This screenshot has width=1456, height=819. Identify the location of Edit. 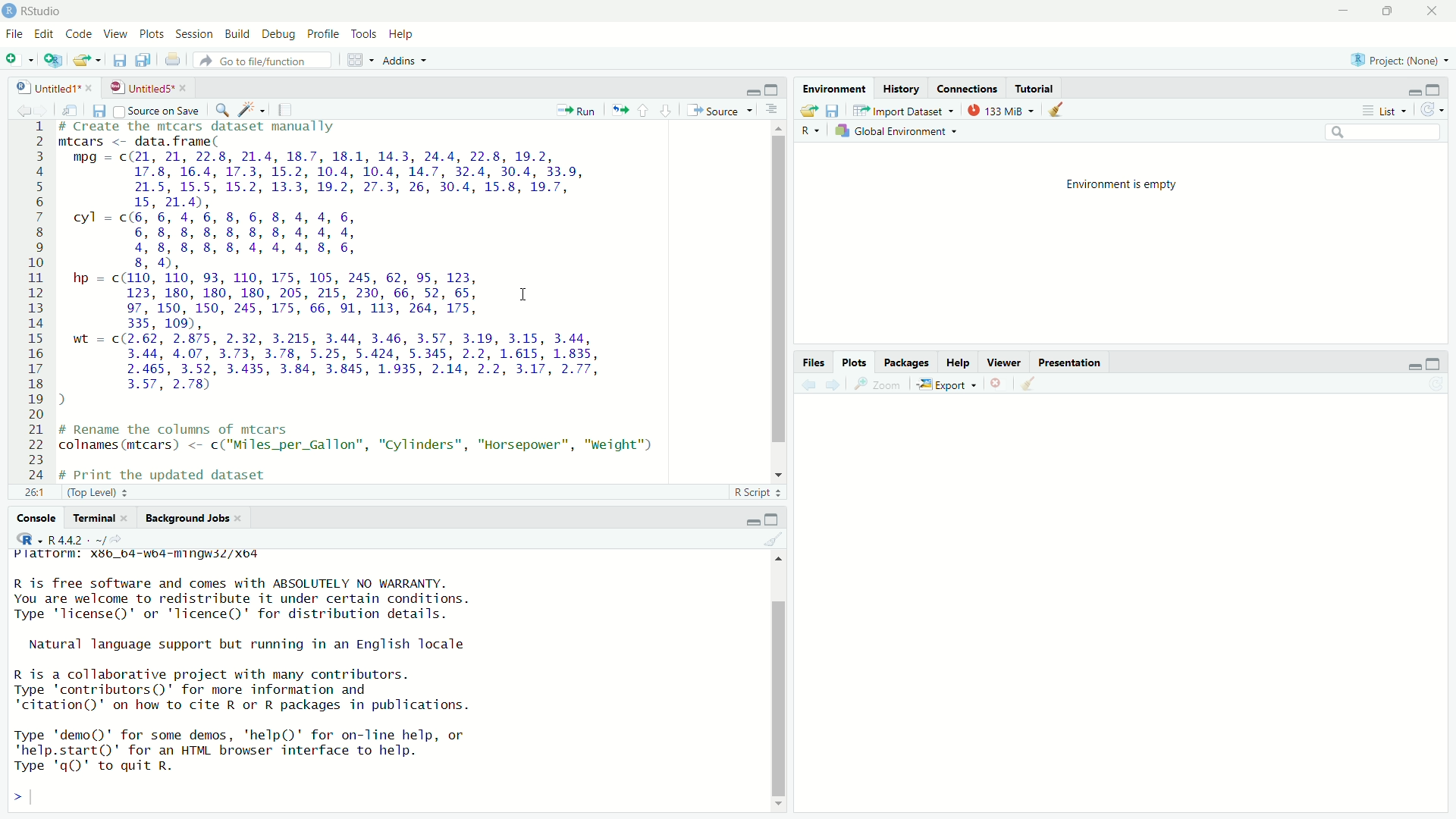
(43, 34).